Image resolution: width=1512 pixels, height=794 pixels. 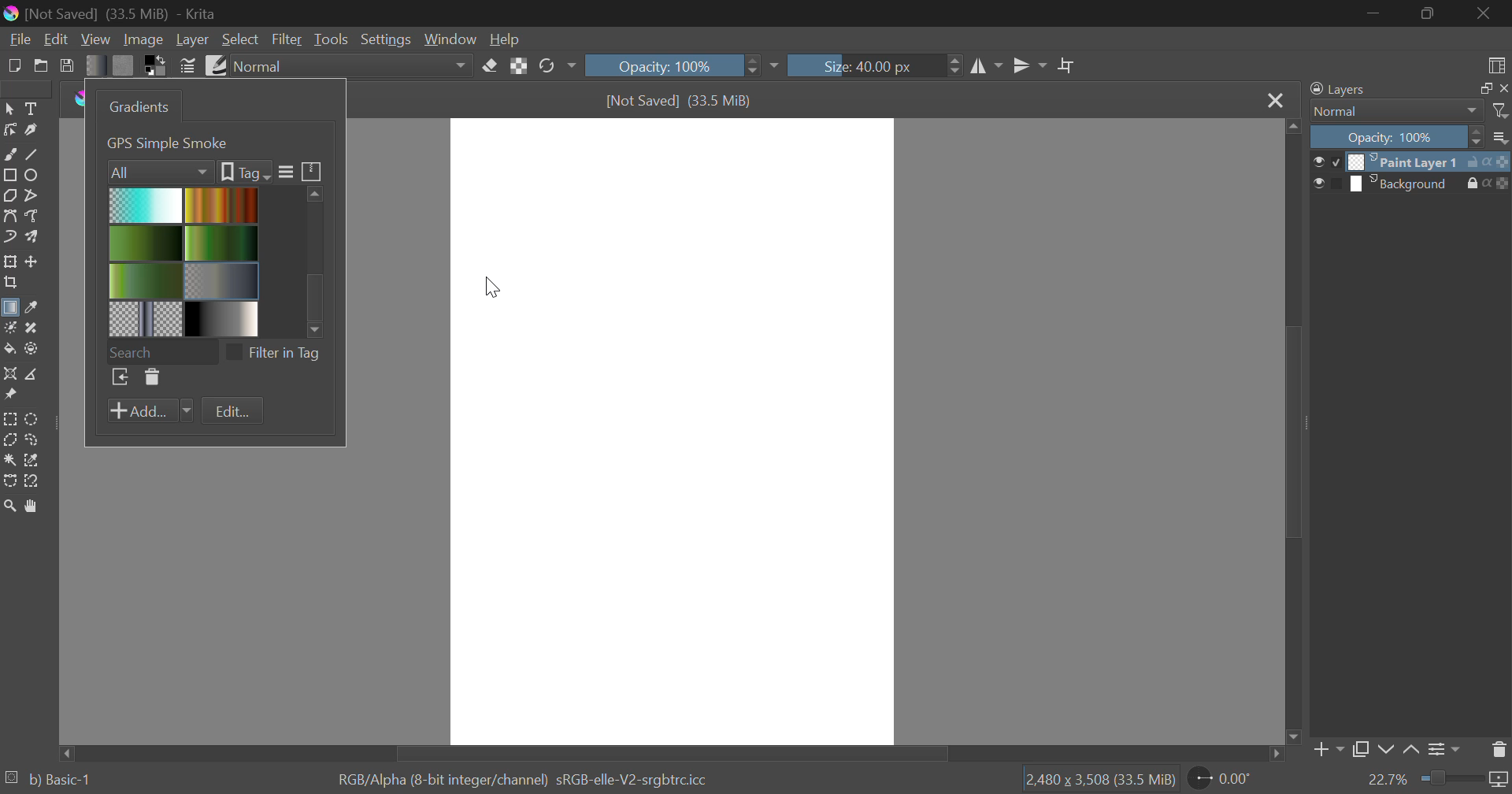 I want to click on Multibrush Tool, so click(x=31, y=238).